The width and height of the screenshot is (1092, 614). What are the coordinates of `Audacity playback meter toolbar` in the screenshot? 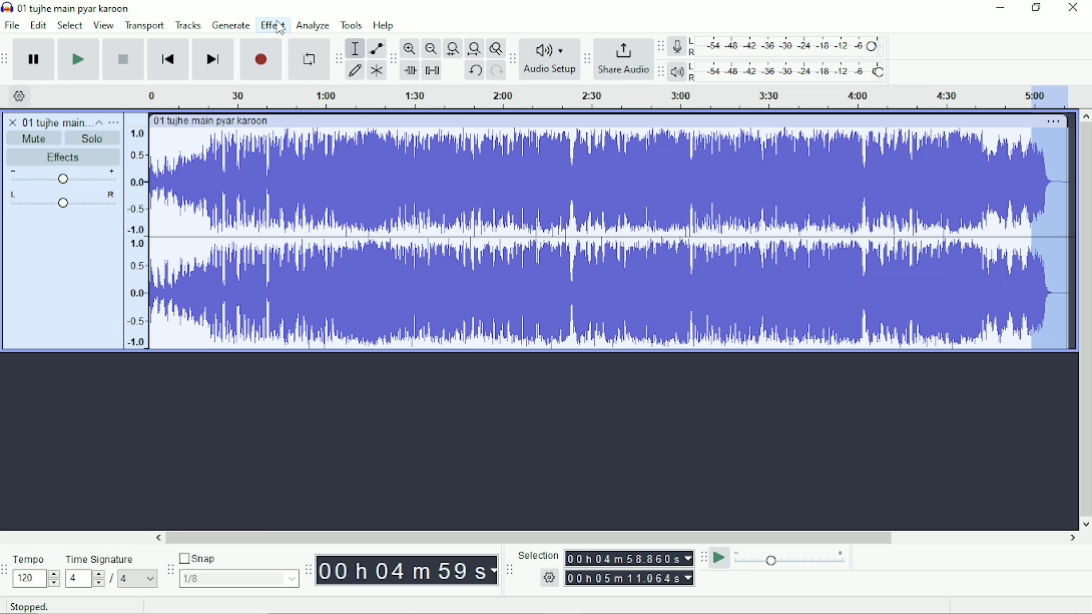 It's located at (662, 71).